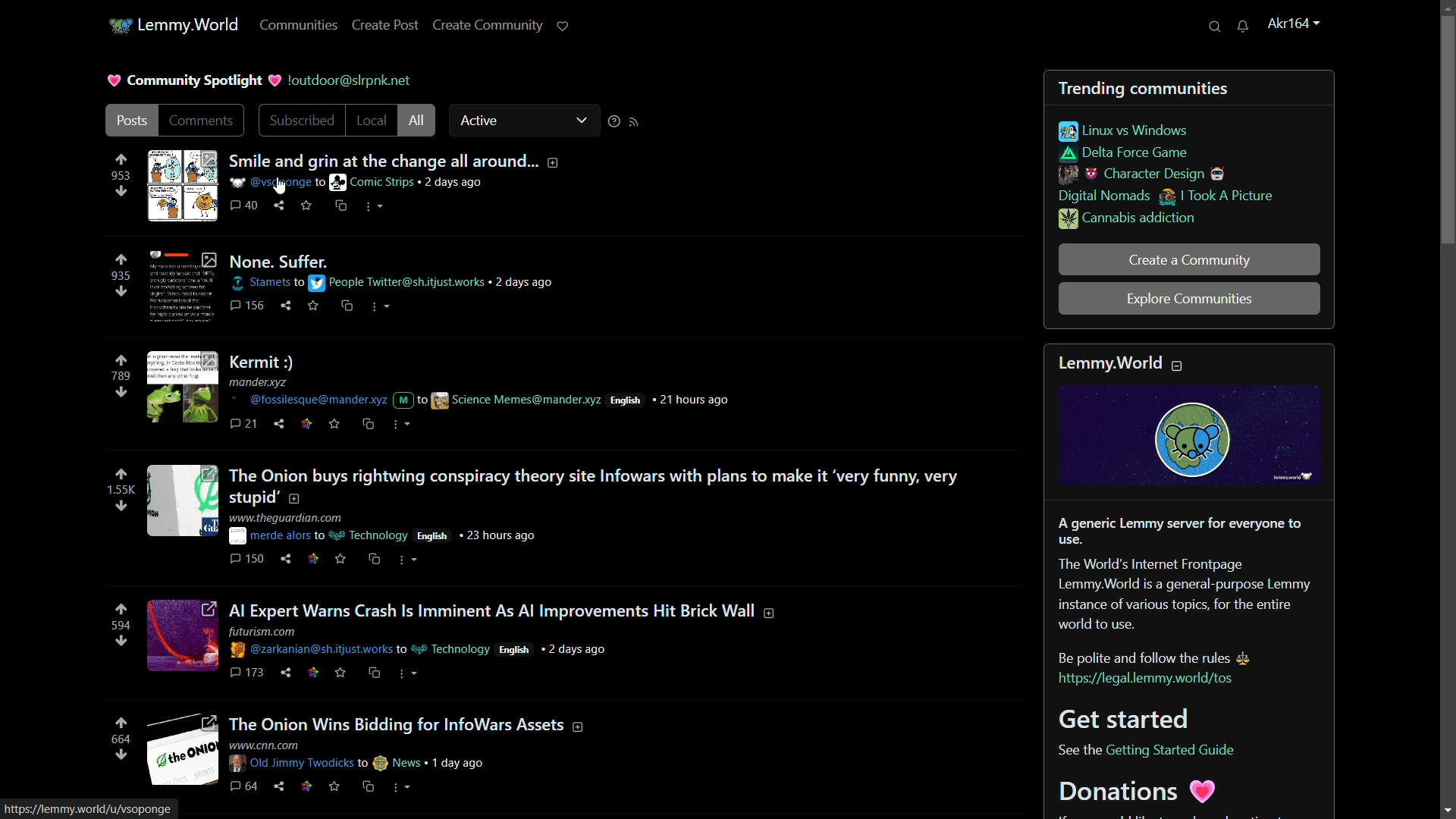 The height and width of the screenshot is (819, 1456). I want to click on save, so click(334, 787).